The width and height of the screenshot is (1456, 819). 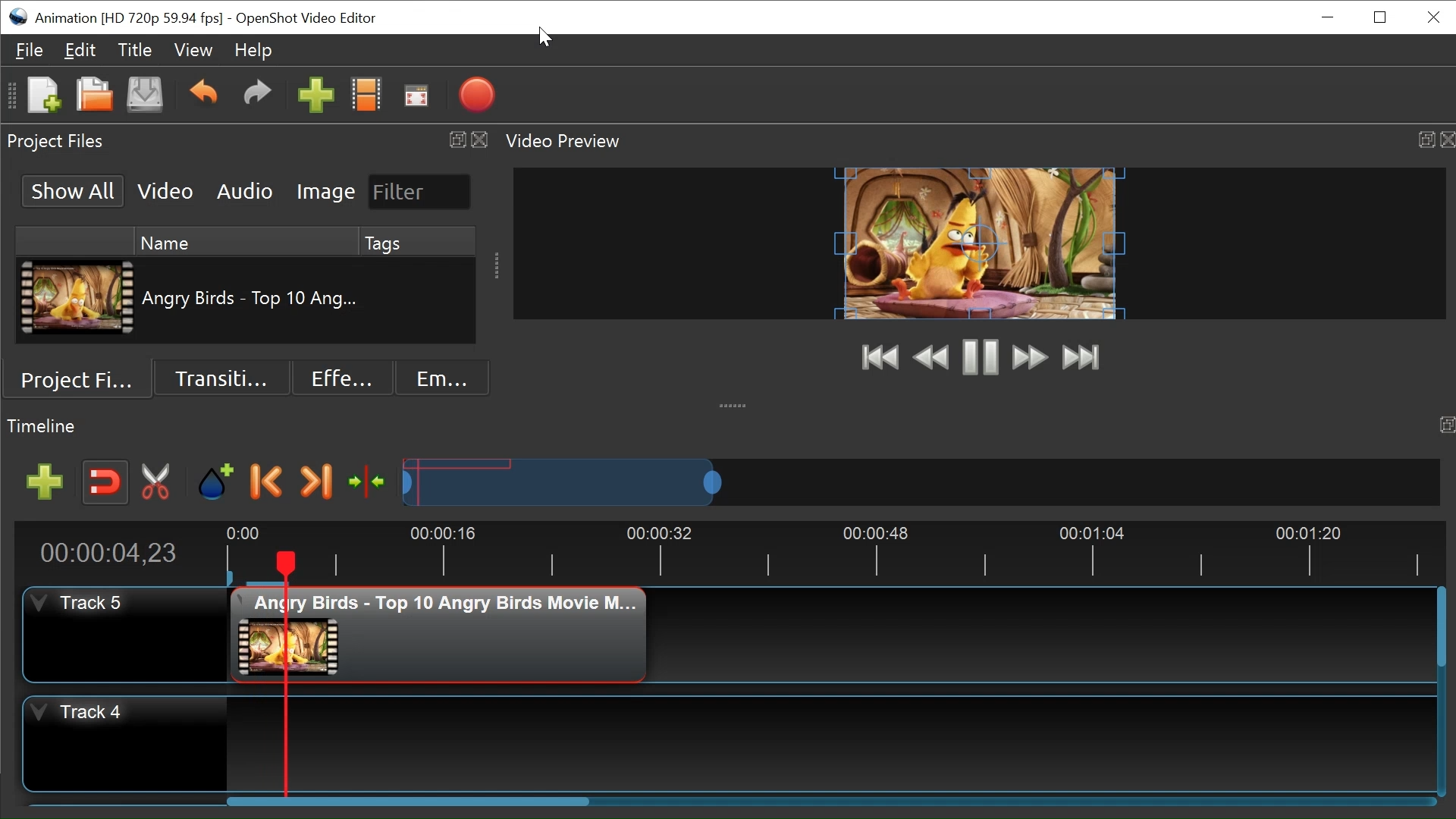 I want to click on Name, so click(x=244, y=240).